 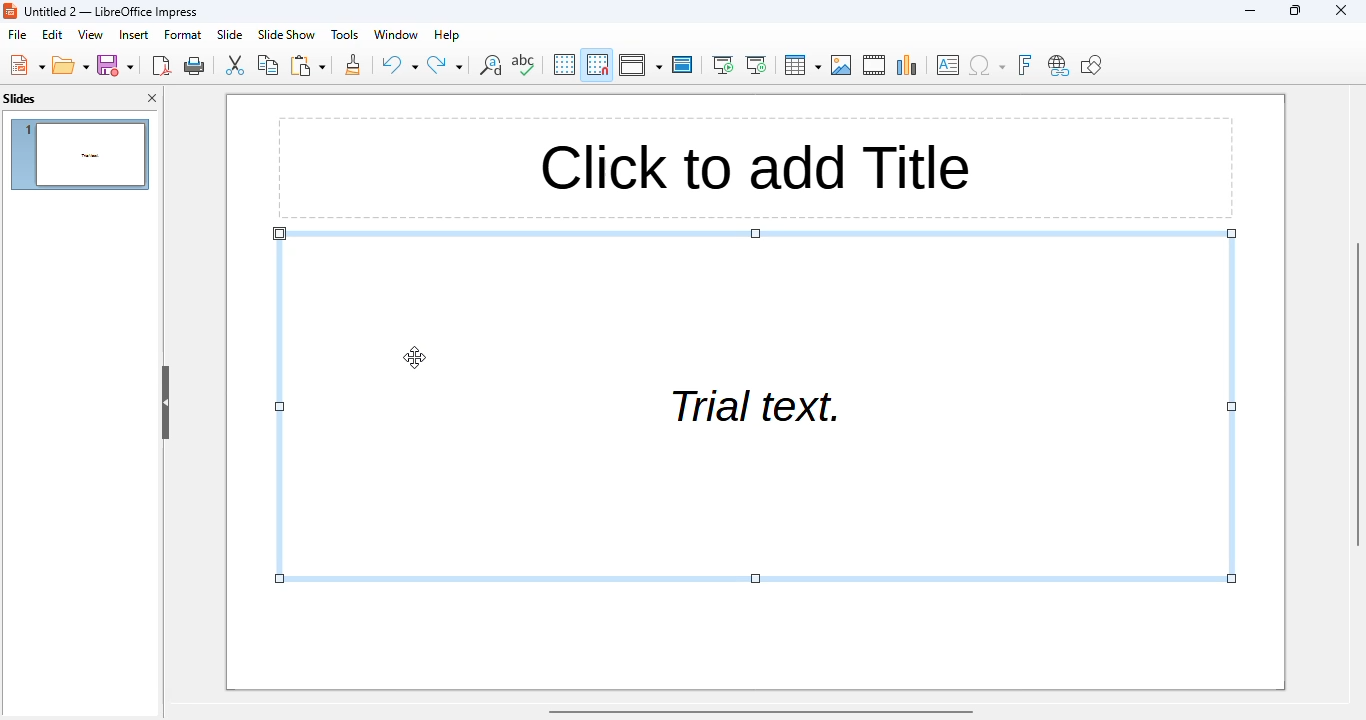 What do you see at coordinates (183, 35) in the screenshot?
I see `format` at bounding box center [183, 35].